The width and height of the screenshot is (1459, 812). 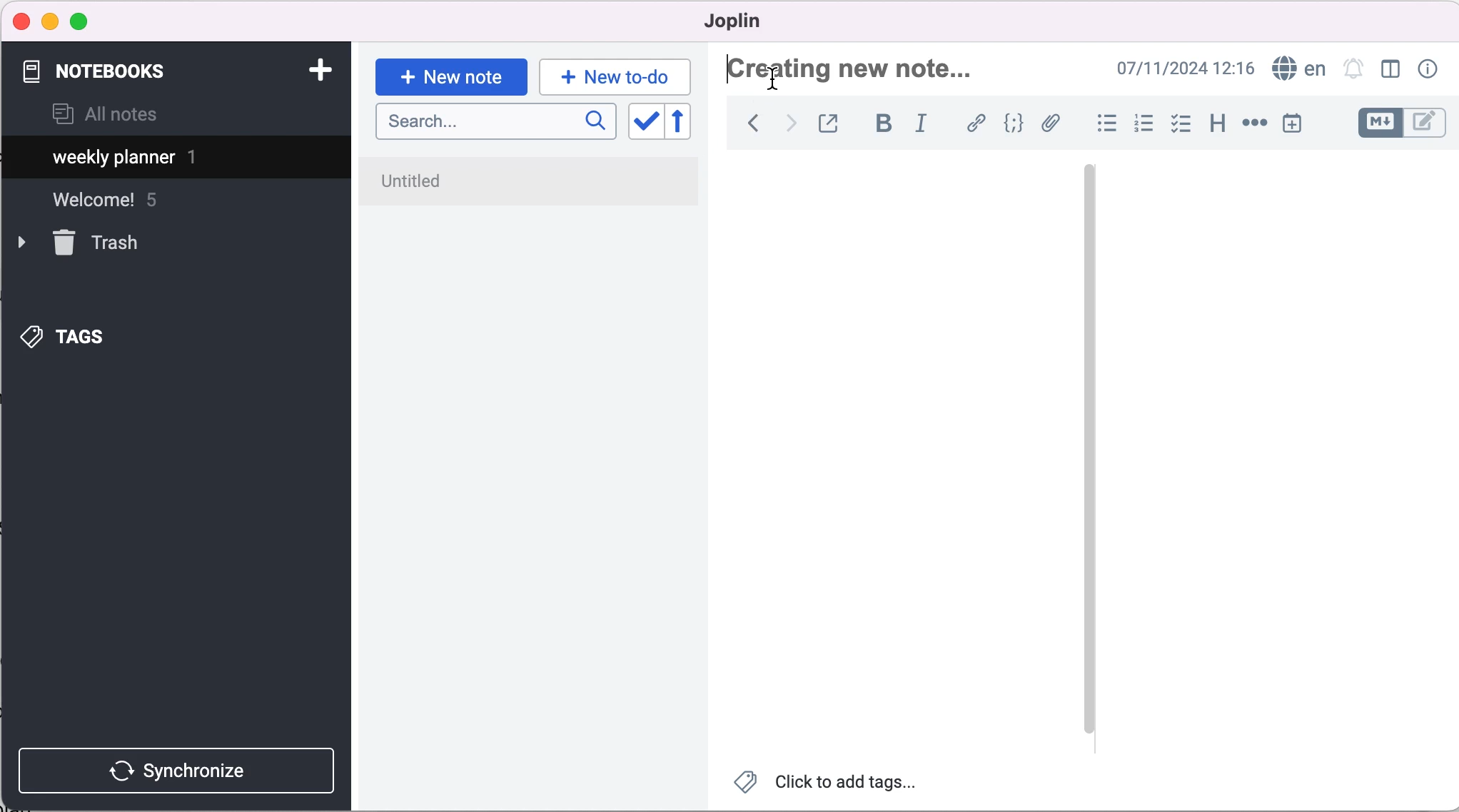 I want to click on language, so click(x=1296, y=69).